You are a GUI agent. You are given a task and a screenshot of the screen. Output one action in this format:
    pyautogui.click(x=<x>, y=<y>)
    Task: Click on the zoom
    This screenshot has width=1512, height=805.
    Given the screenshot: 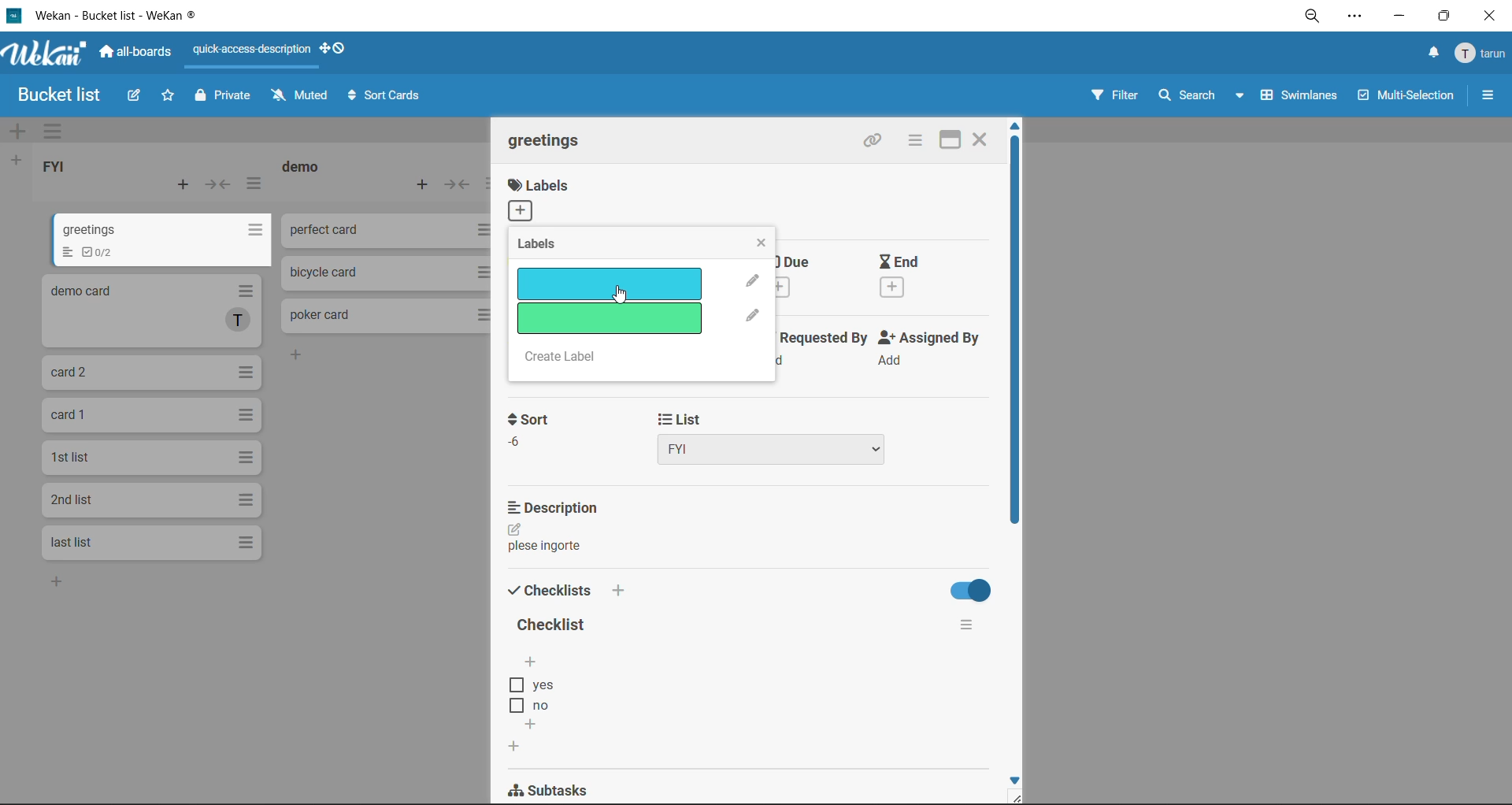 What is the action you would take?
    pyautogui.click(x=1312, y=17)
    